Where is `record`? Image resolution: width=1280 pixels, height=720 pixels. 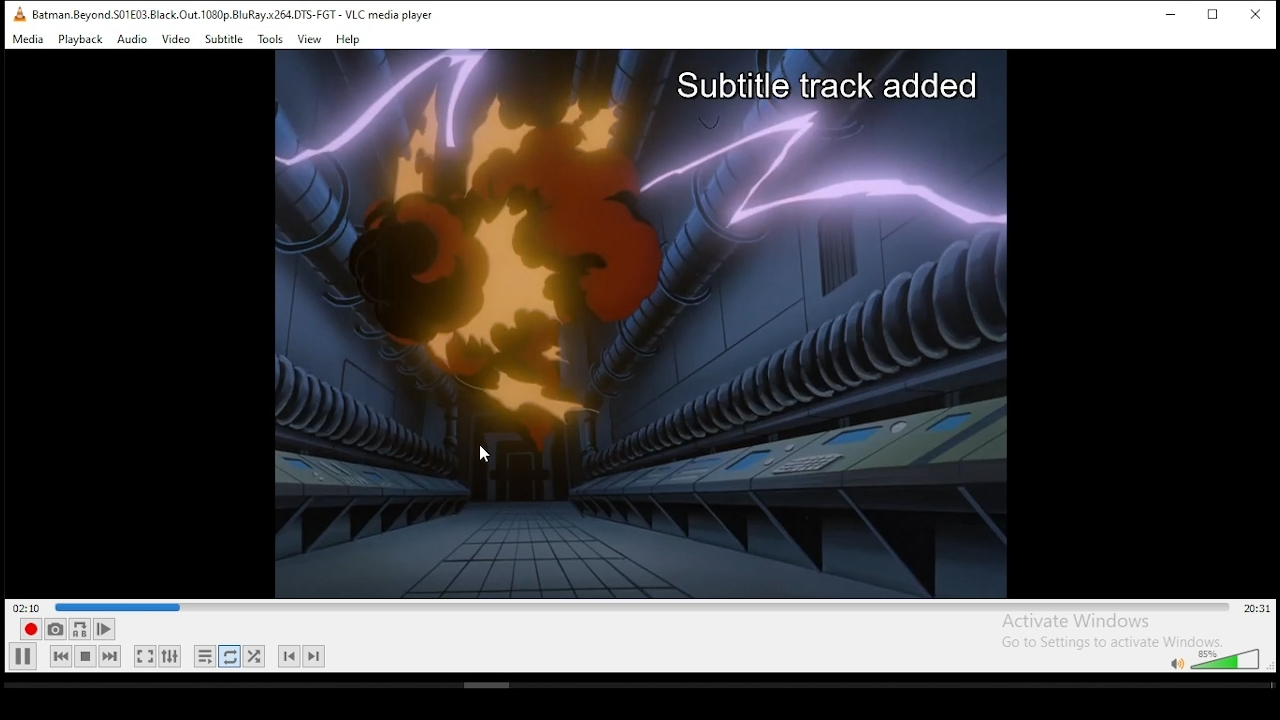 record is located at coordinates (31, 629).